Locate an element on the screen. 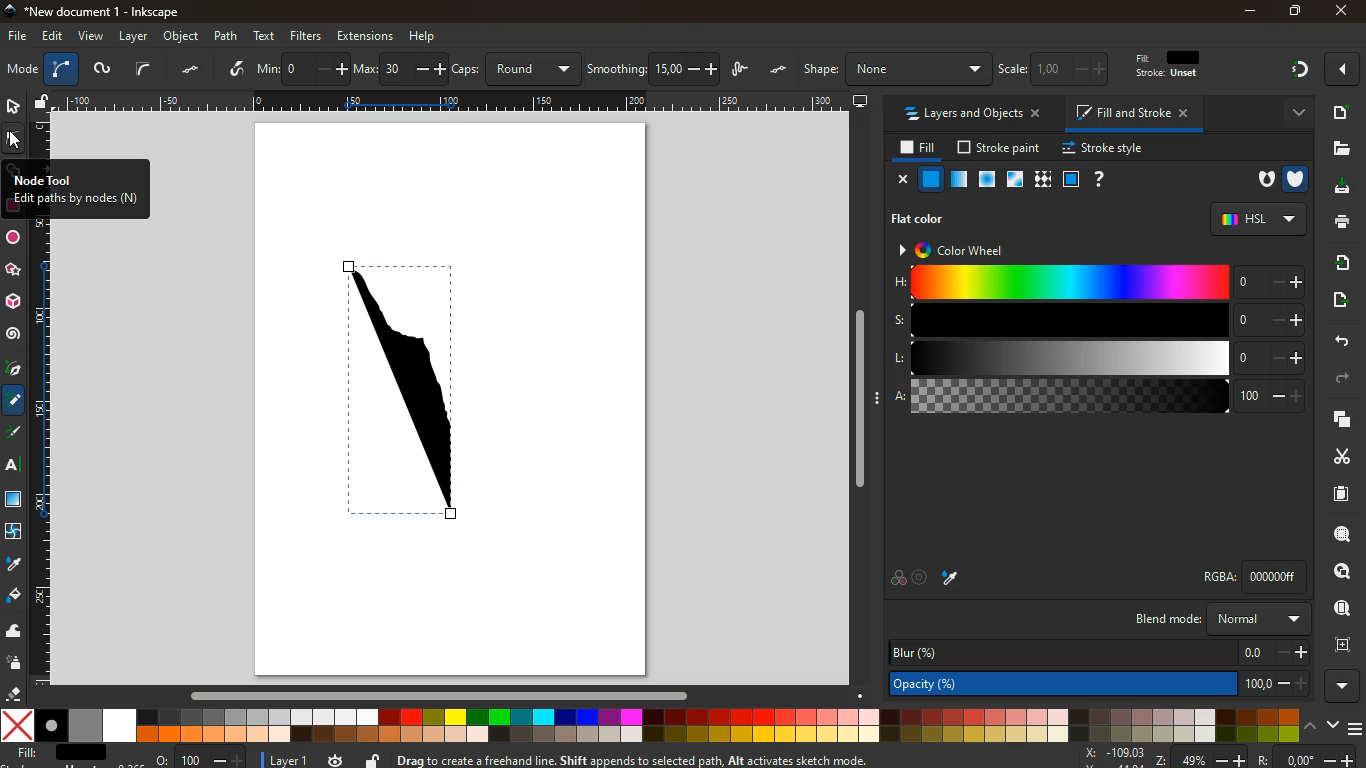  send is located at coordinates (1343, 302).